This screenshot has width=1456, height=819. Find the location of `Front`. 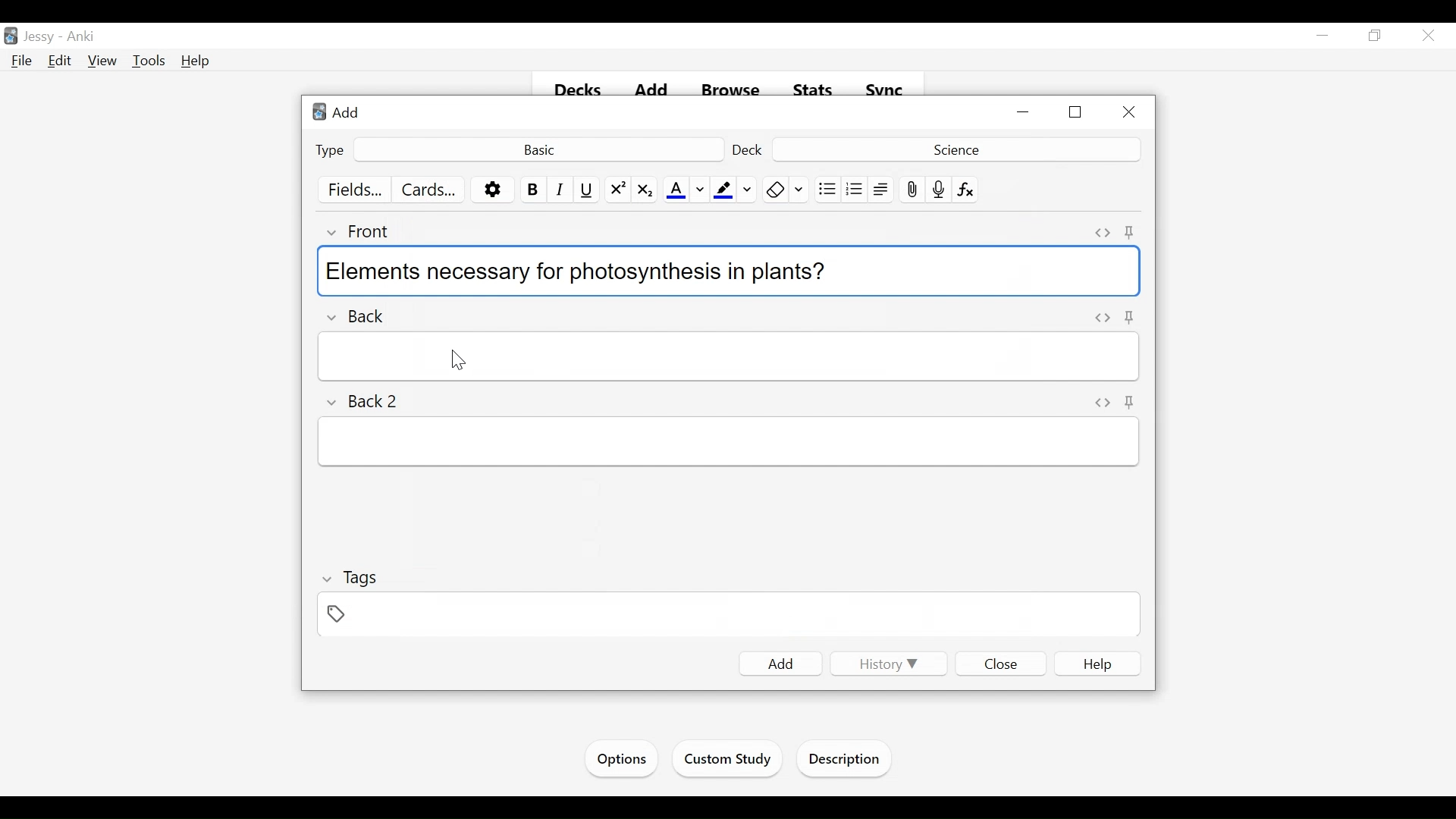

Front is located at coordinates (367, 231).